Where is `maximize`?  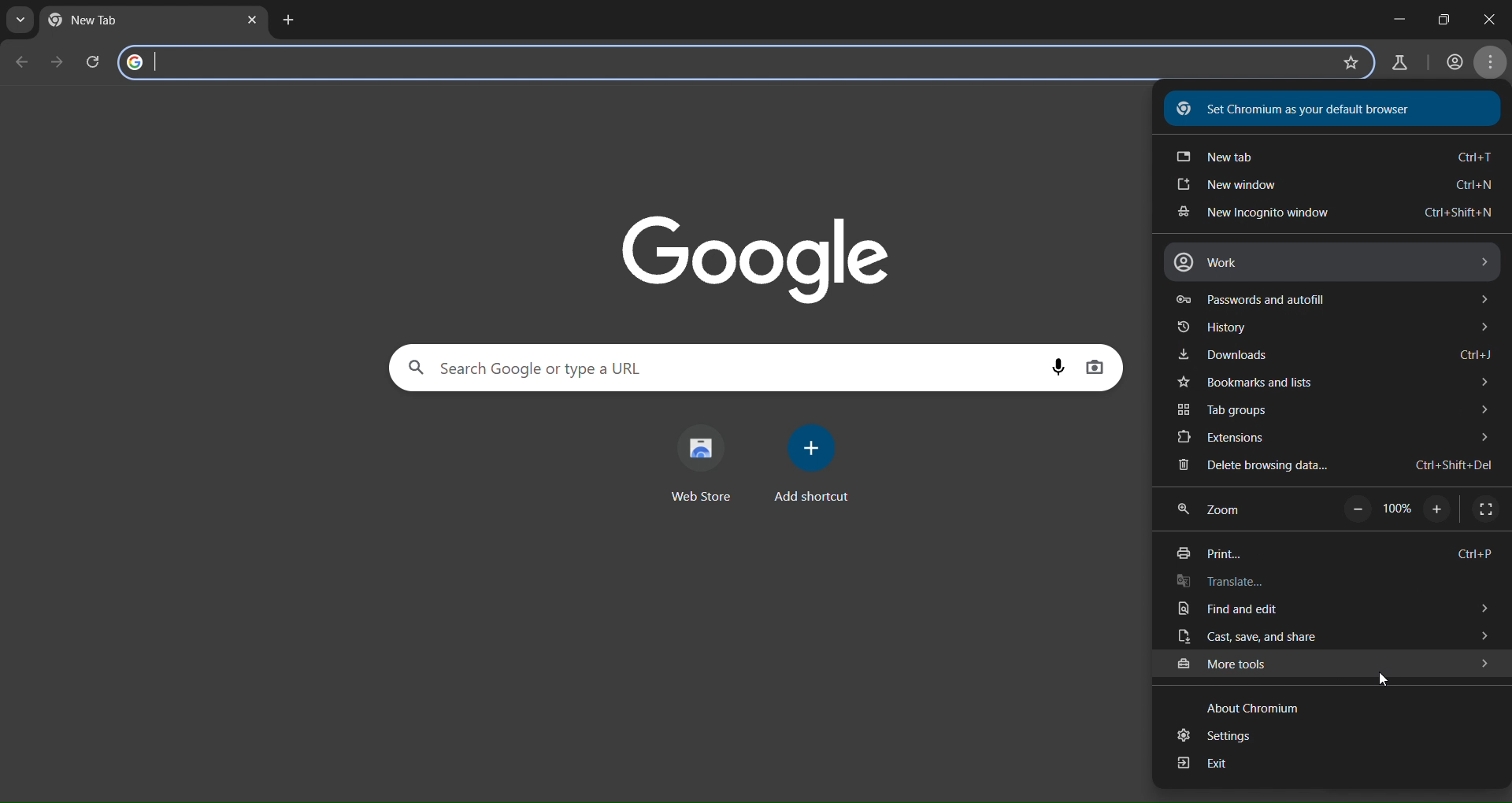
maximize is located at coordinates (1444, 16).